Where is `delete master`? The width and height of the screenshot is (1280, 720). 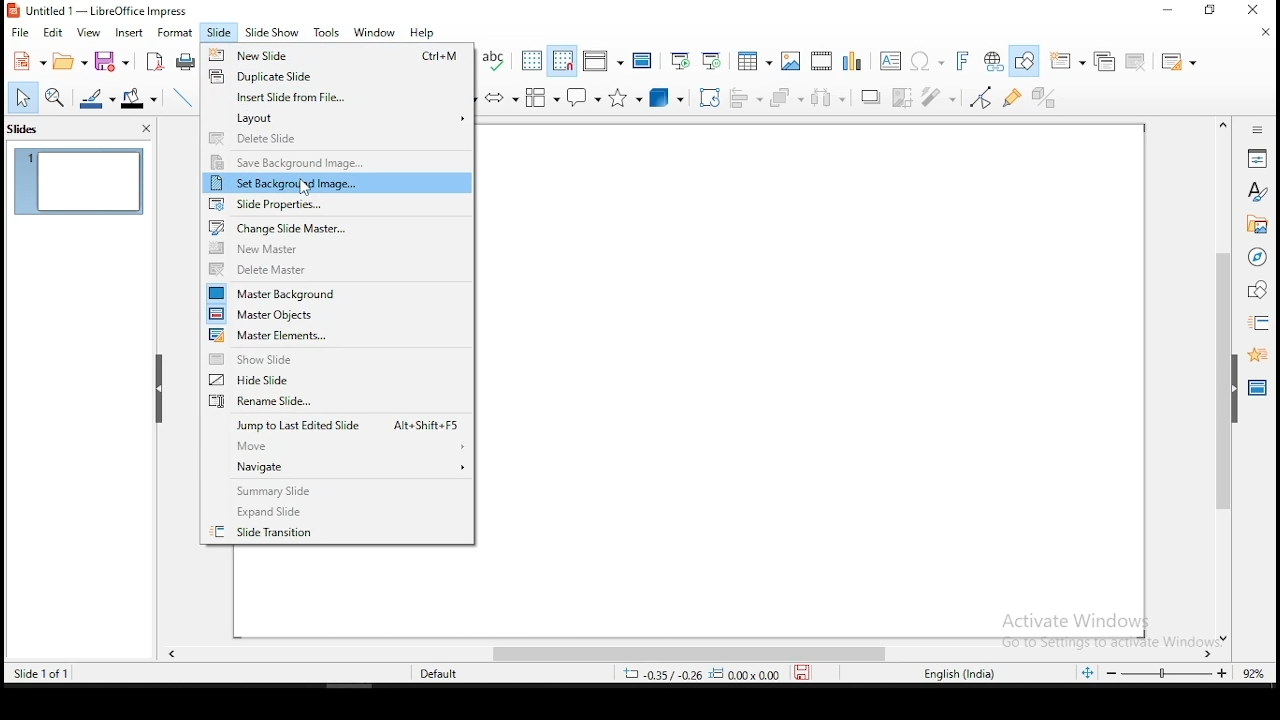
delete master is located at coordinates (338, 272).